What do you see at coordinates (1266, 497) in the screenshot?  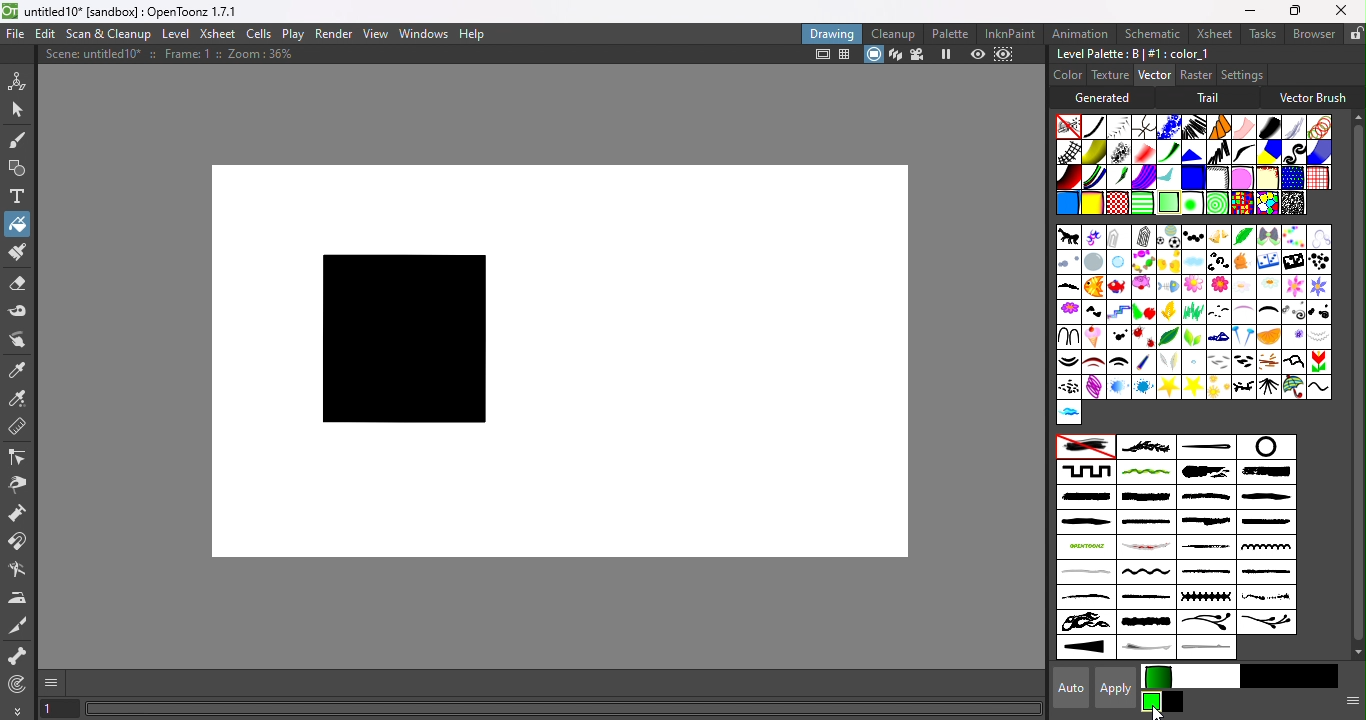 I see `medium_brush2` at bounding box center [1266, 497].